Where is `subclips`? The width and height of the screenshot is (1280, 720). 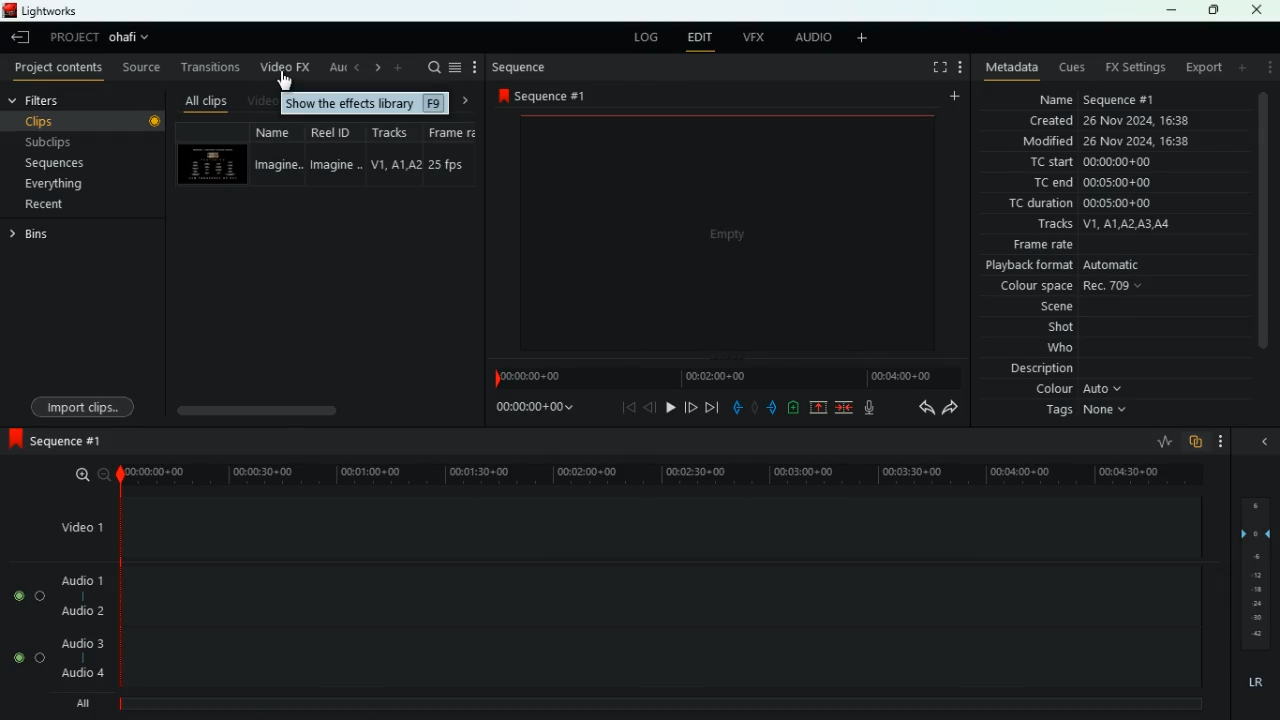
subclips is located at coordinates (70, 142).